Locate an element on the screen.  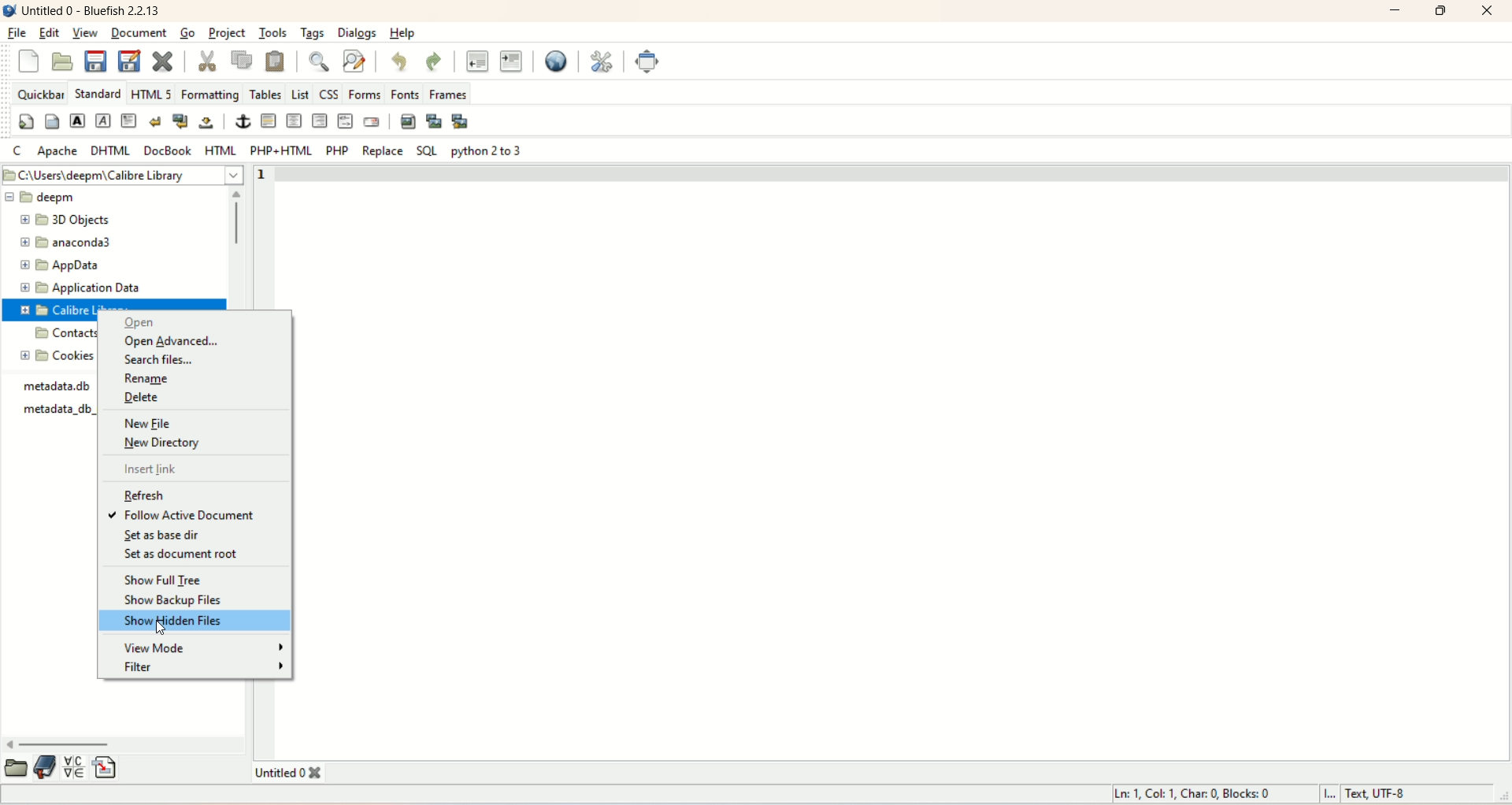
insert images is located at coordinates (407, 121).